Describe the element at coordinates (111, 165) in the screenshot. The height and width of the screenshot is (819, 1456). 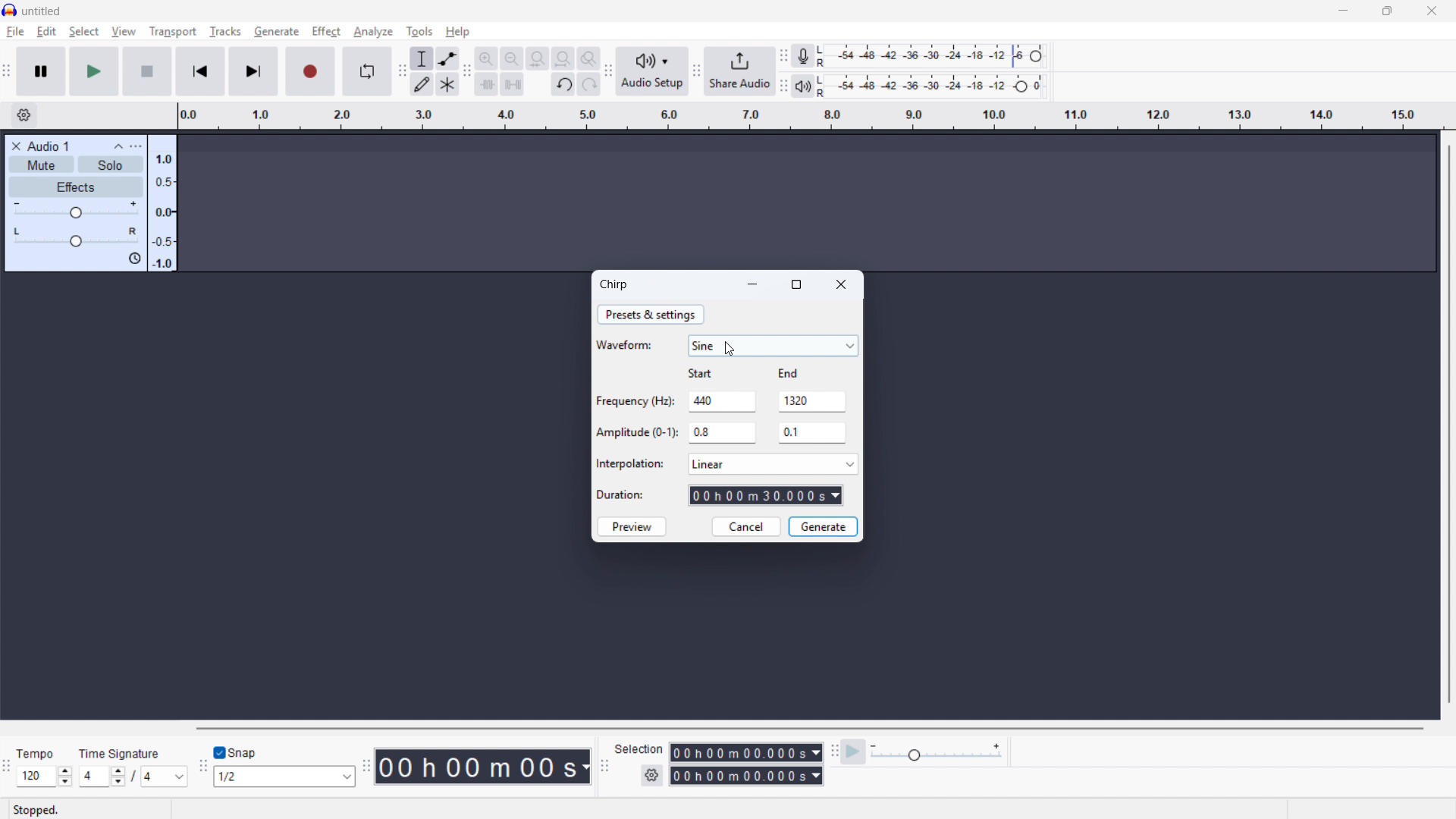
I see `Solo ` at that location.